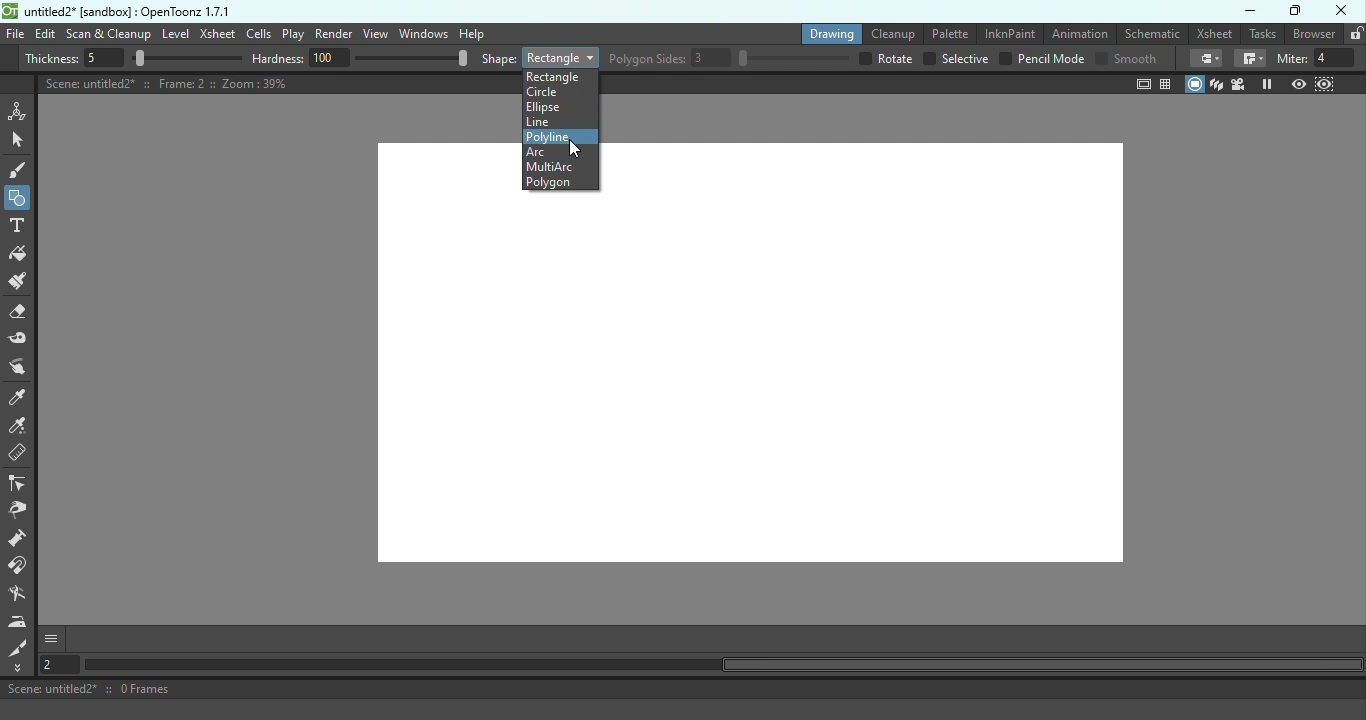 The height and width of the screenshot is (720, 1366). I want to click on Scan & Cleanup, so click(108, 34).